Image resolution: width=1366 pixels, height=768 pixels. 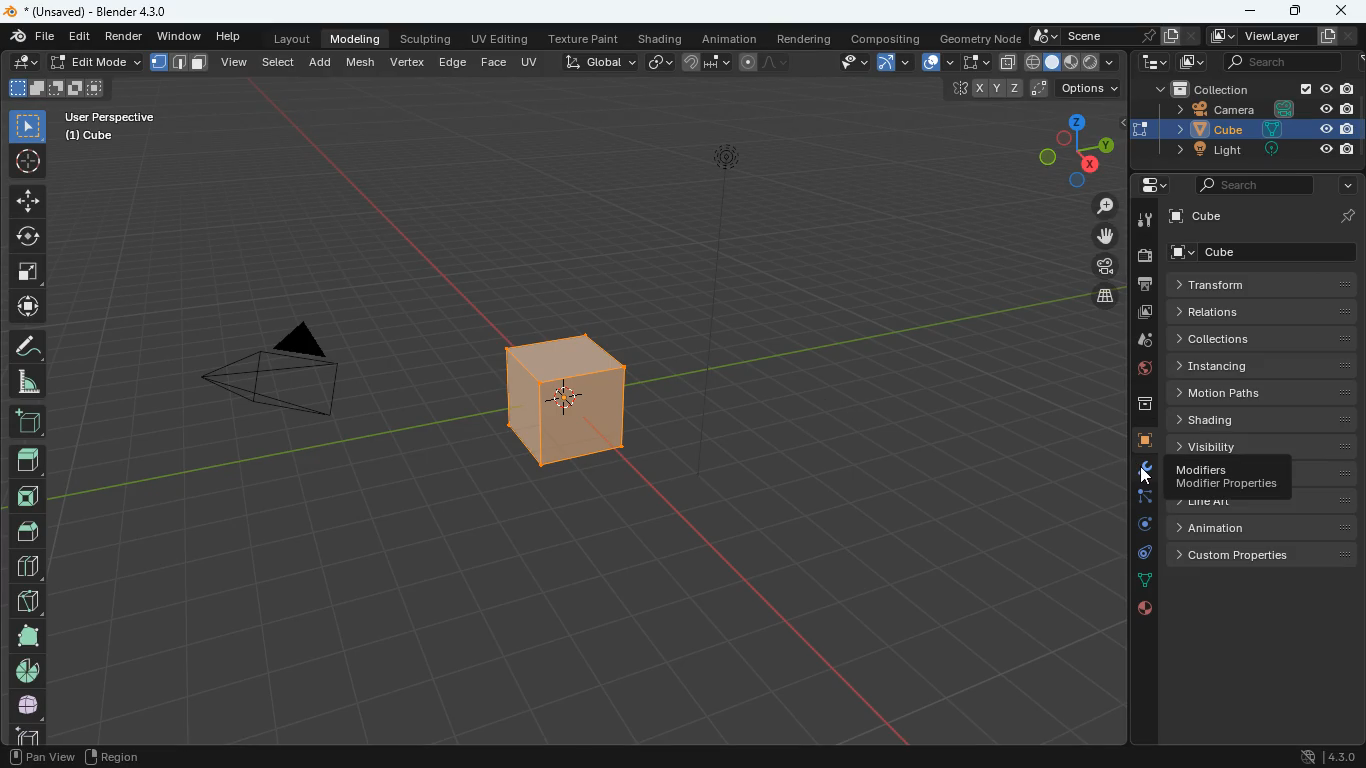 I want to click on copy, so click(x=1008, y=63).